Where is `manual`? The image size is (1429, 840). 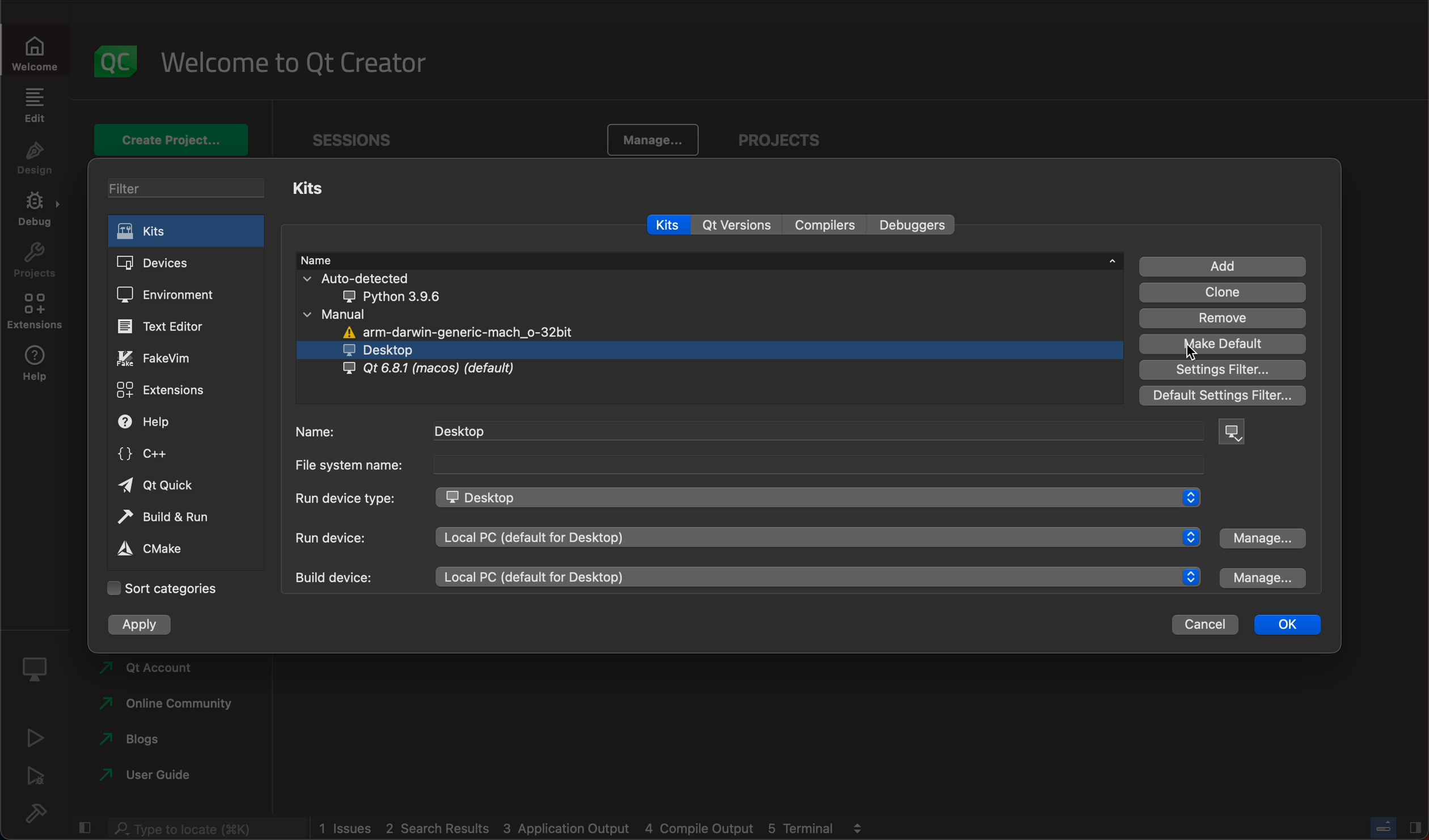 manual is located at coordinates (356, 313).